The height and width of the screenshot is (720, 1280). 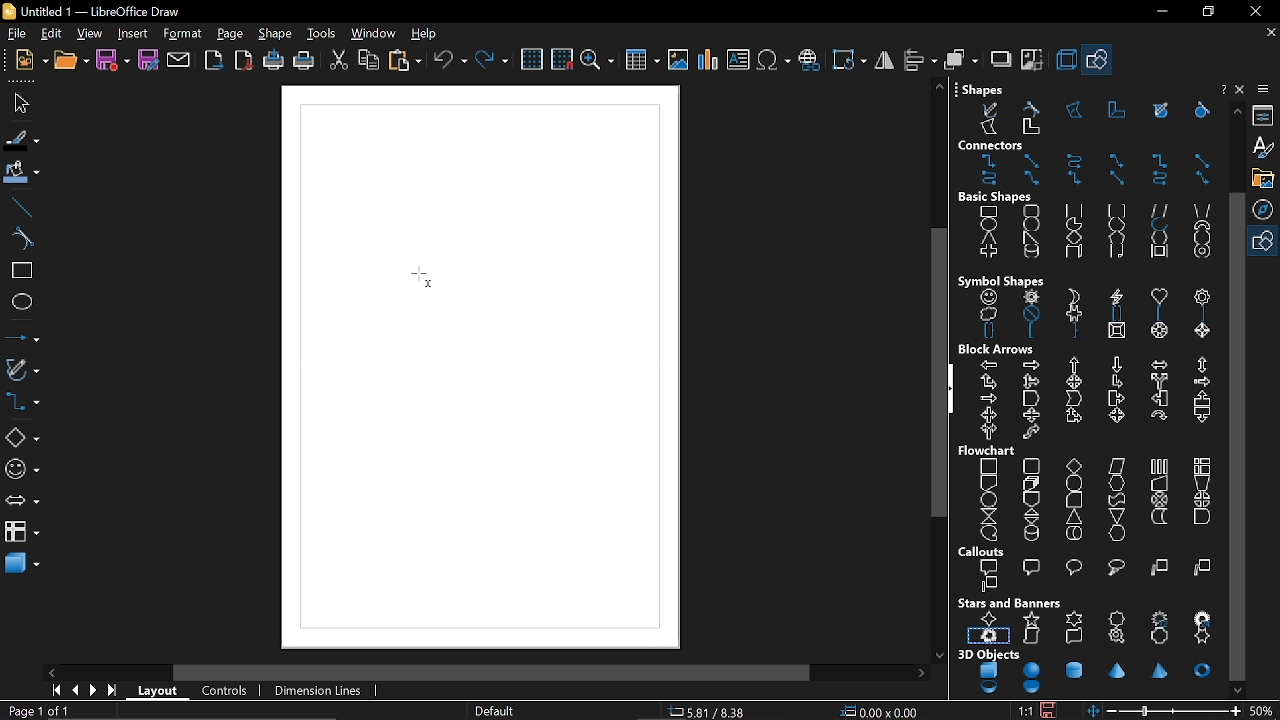 What do you see at coordinates (22, 532) in the screenshot?
I see `flowchart` at bounding box center [22, 532].